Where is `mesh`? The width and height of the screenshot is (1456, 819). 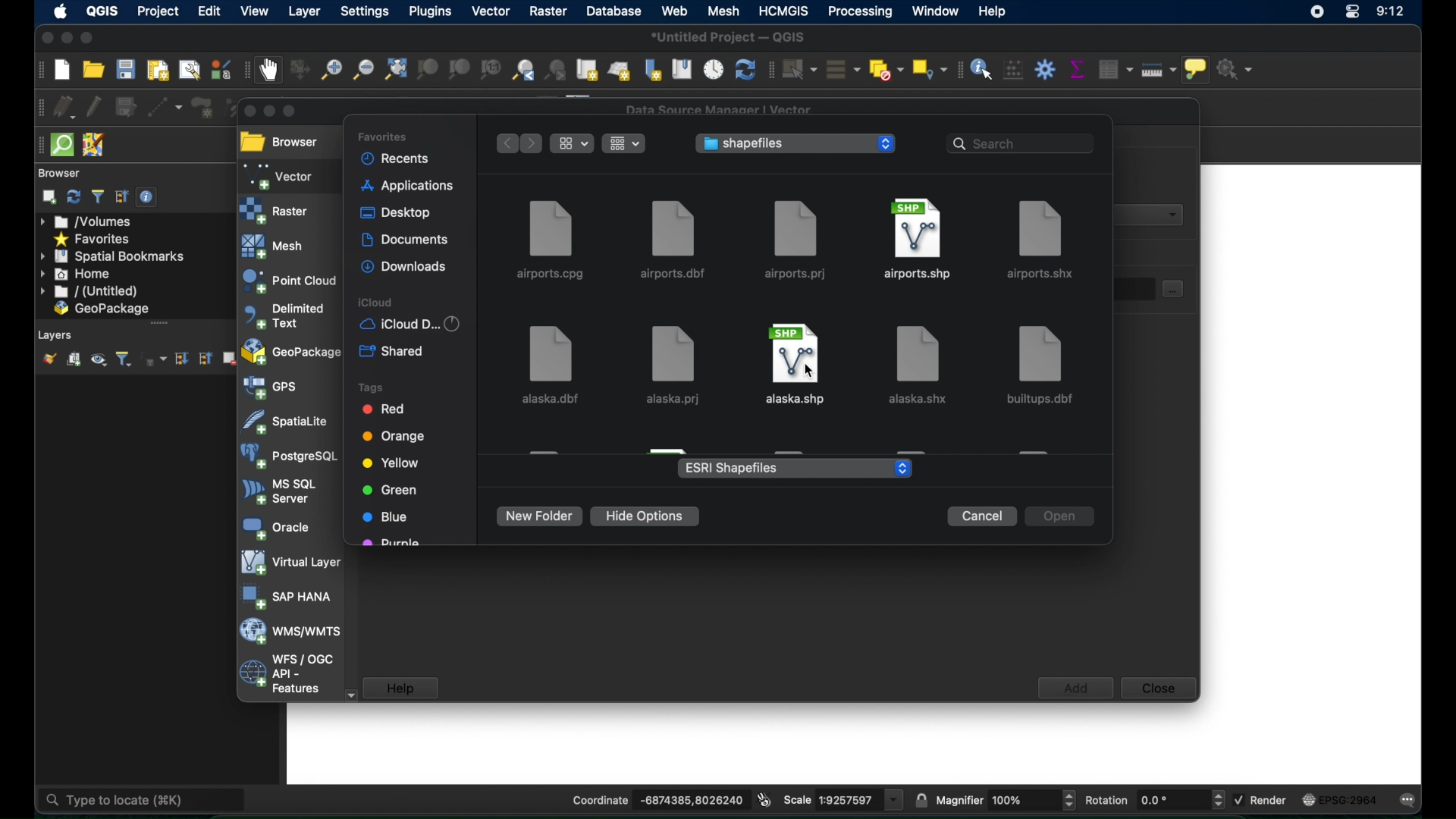
mesh is located at coordinates (724, 11).